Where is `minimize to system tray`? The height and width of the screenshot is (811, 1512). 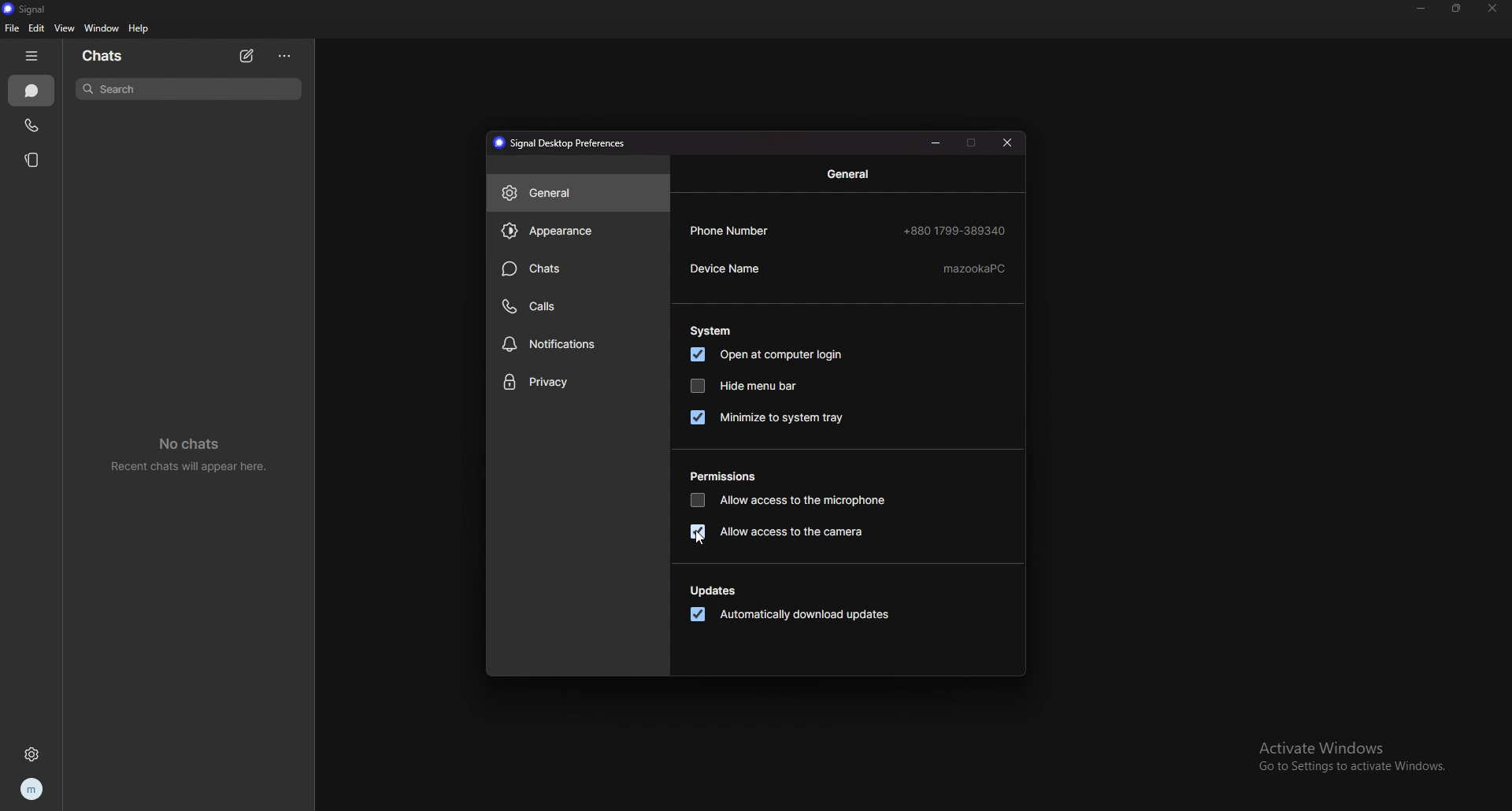 minimize to system tray is located at coordinates (769, 417).